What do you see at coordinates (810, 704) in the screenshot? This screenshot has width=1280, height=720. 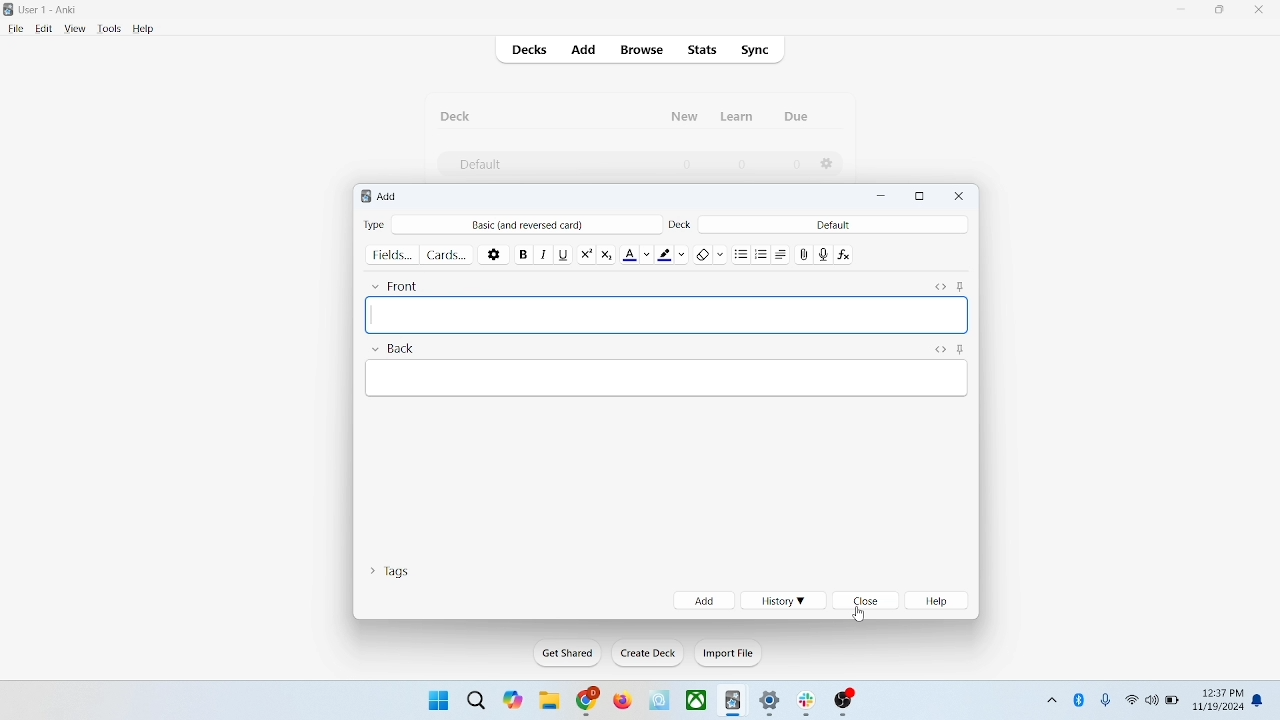 I see `icon` at bounding box center [810, 704].